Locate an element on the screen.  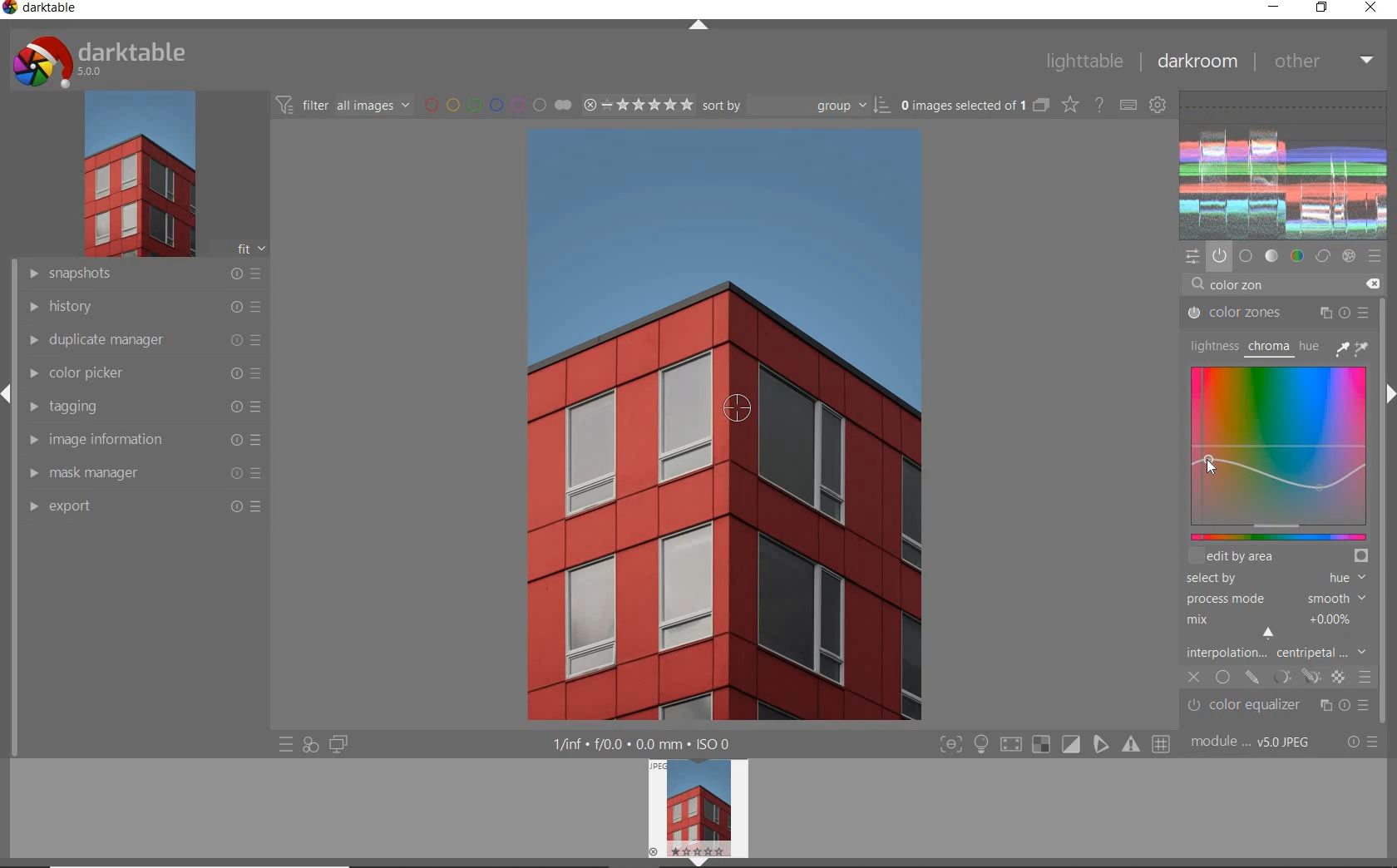
BLENDING OPTIONS is located at coordinates (1365, 676).